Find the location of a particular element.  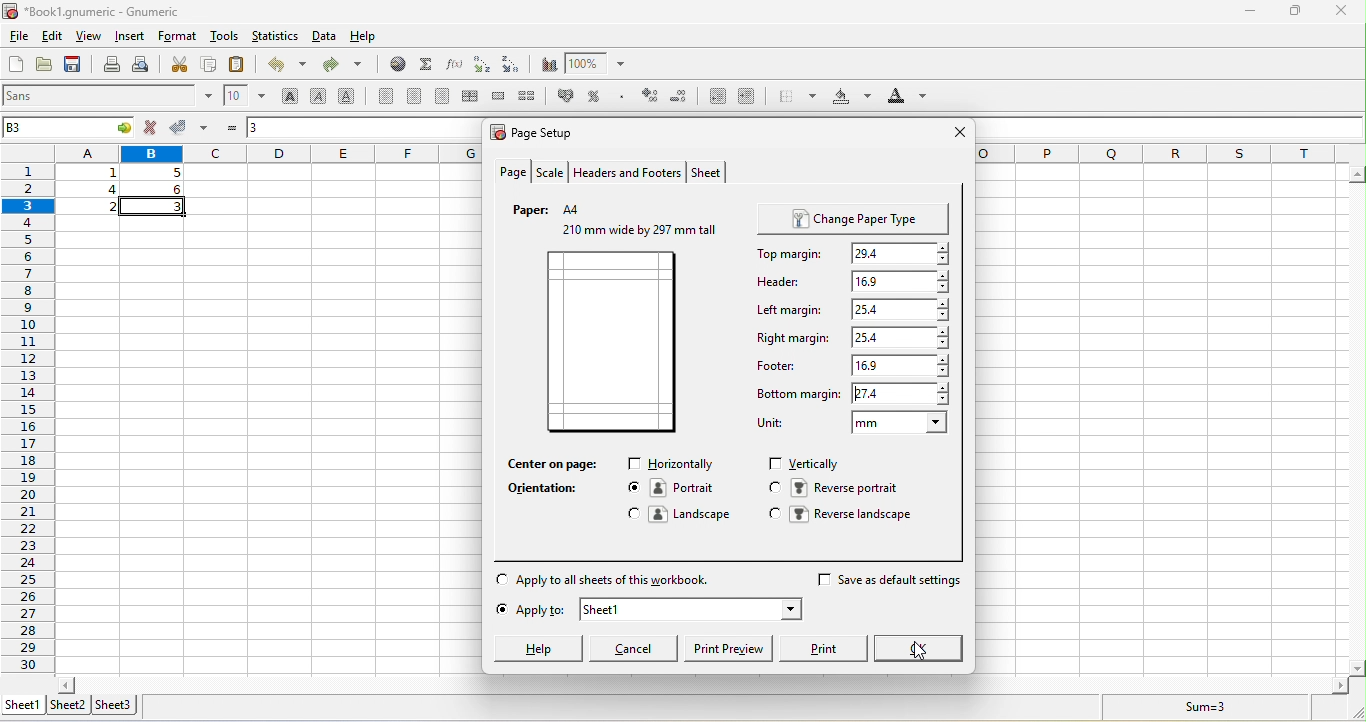

footer is located at coordinates (780, 362).